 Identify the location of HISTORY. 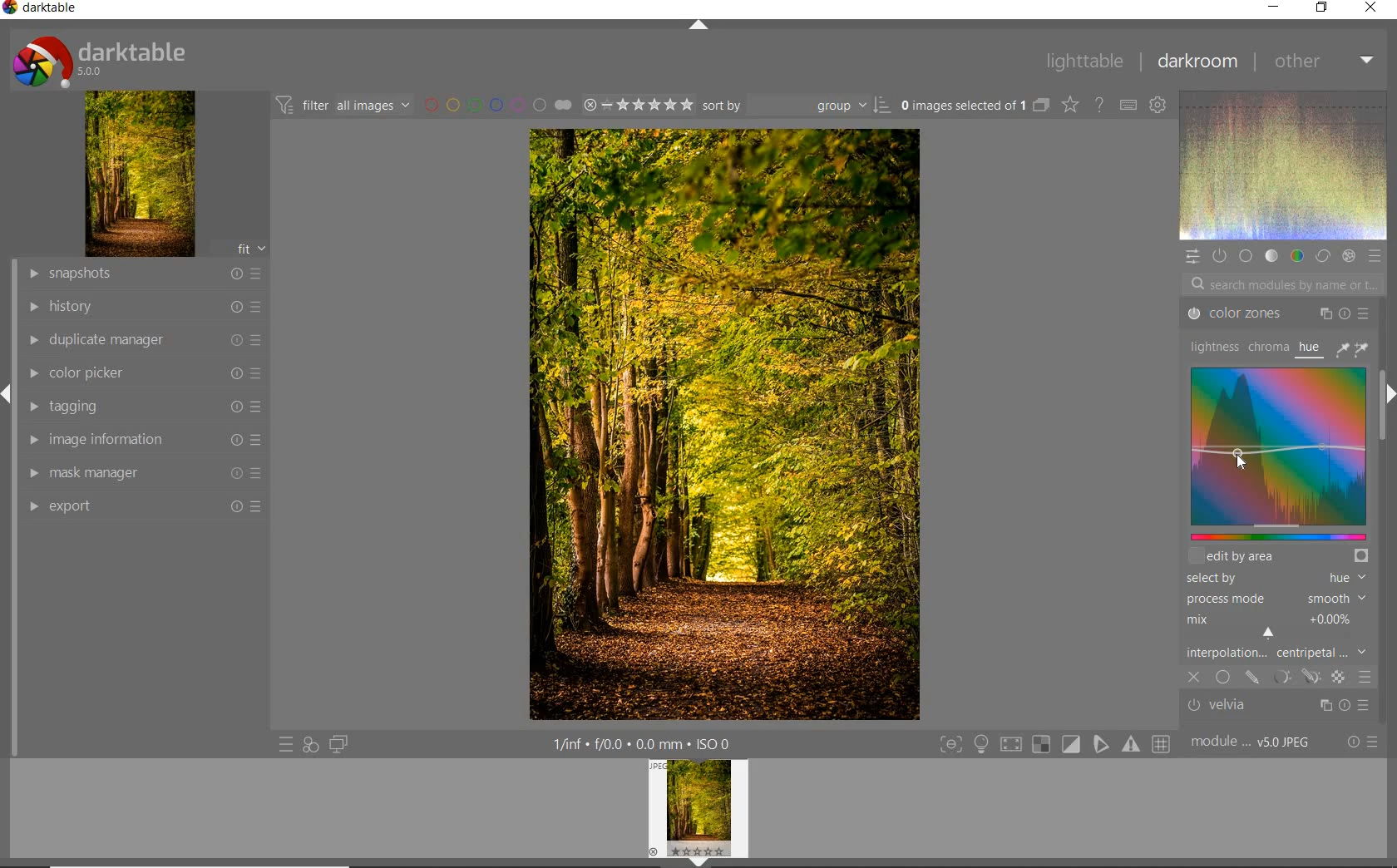
(141, 308).